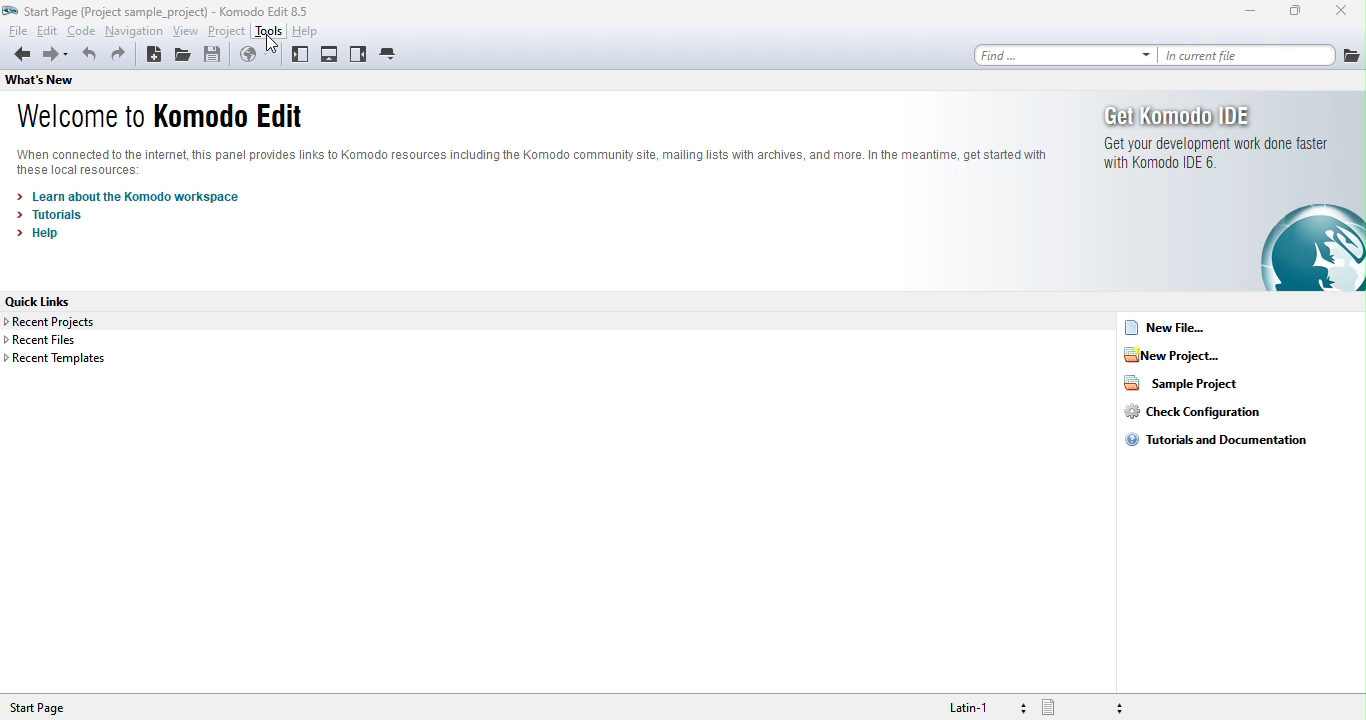 The width and height of the screenshot is (1366, 720). I want to click on recent templates, so click(60, 363).